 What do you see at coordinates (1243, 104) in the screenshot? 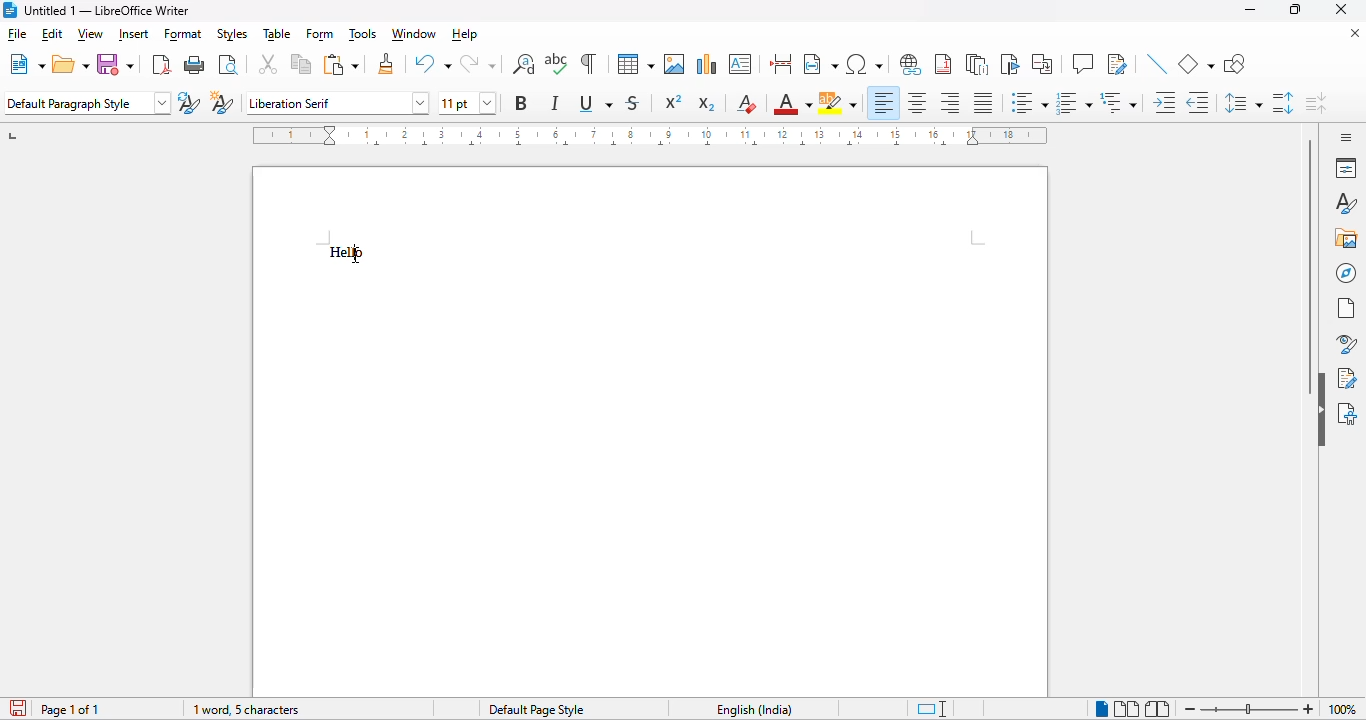
I see `set line spacing` at bounding box center [1243, 104].